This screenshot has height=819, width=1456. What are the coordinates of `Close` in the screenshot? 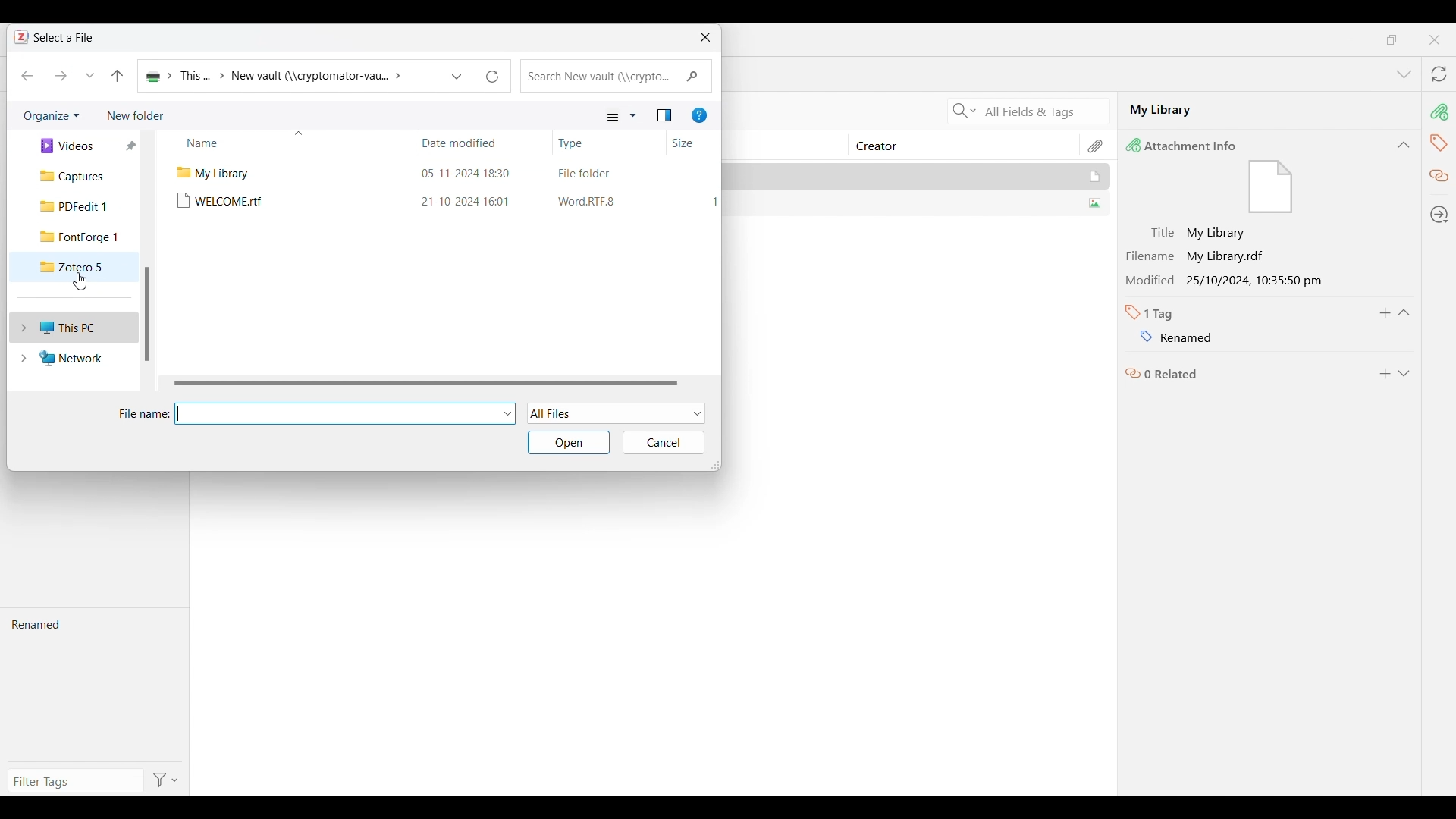 It's located at (703, 39).